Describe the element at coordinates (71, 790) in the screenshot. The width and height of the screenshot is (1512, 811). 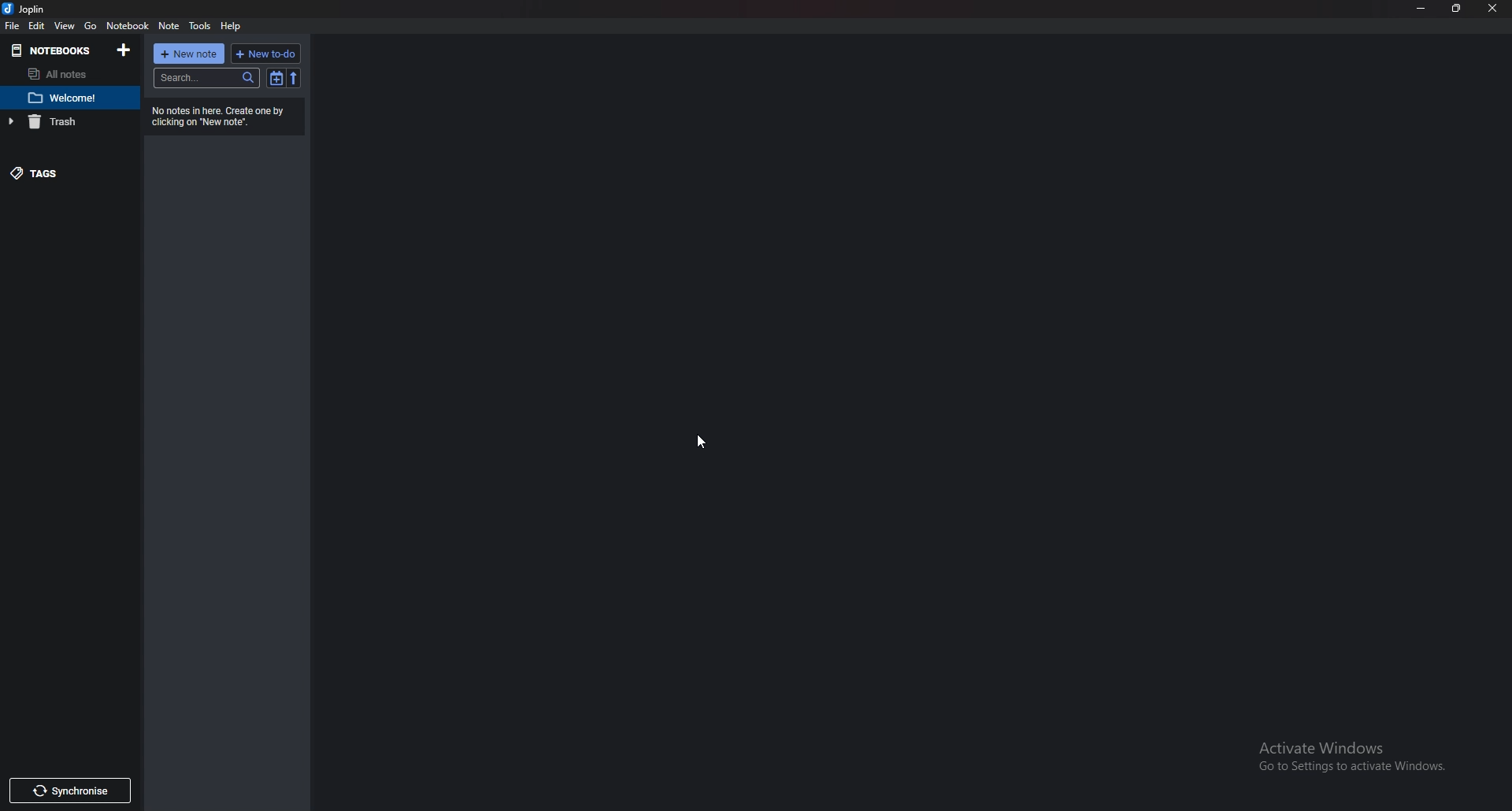
I see `Synchronize` at that location.